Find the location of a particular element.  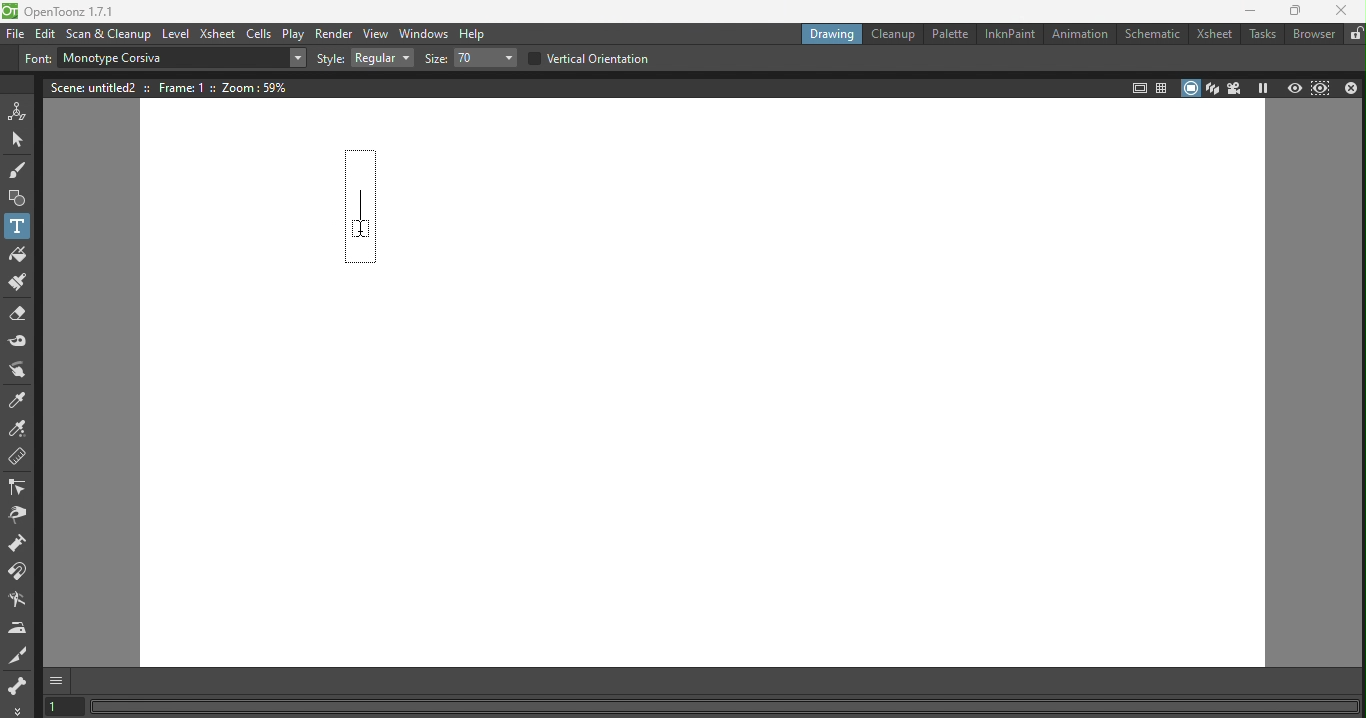

Control point editor tool is located at coordinates (20, 489).